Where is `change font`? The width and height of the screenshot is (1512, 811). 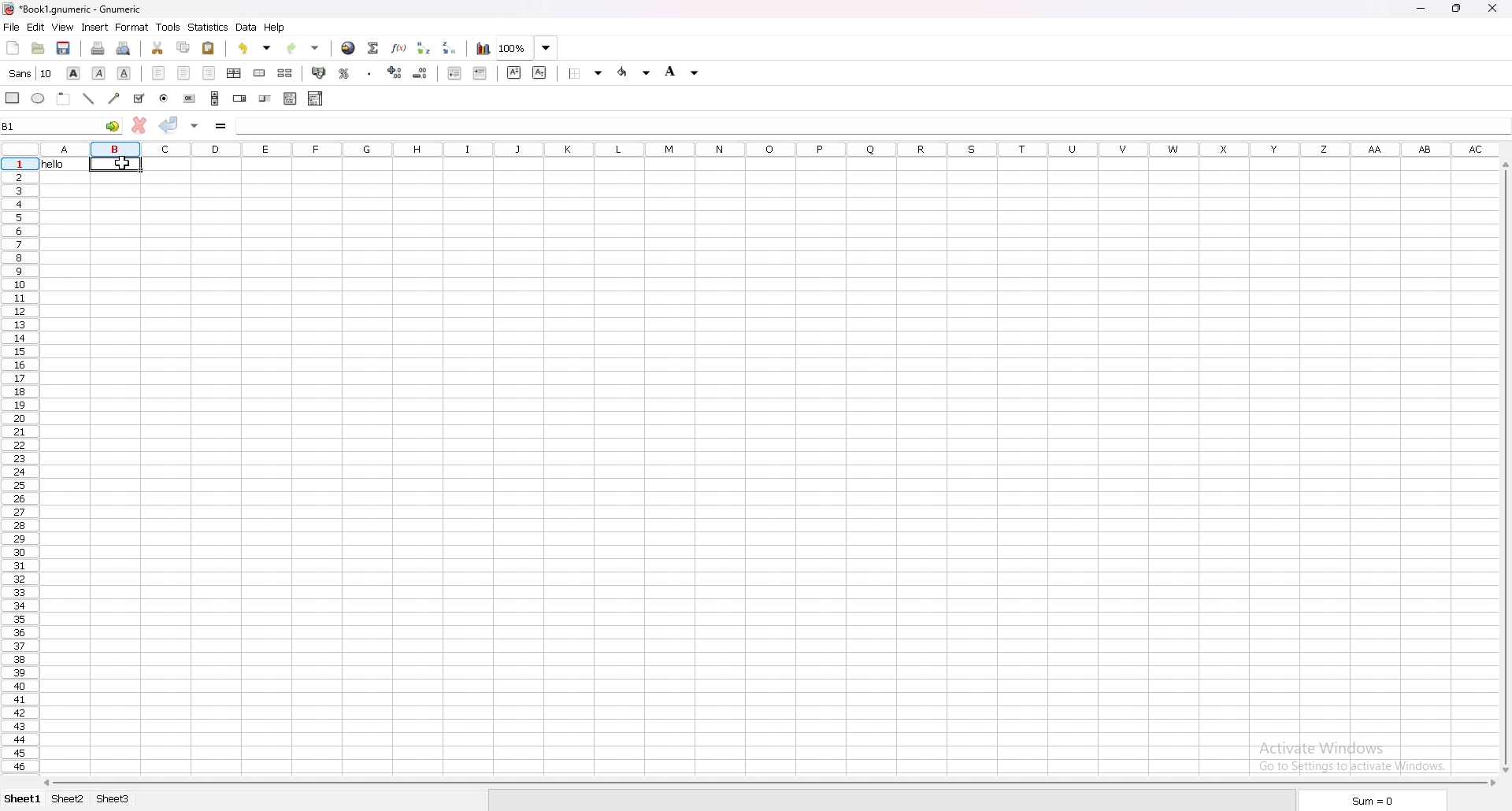 change font is located at coordinates (30, 73).